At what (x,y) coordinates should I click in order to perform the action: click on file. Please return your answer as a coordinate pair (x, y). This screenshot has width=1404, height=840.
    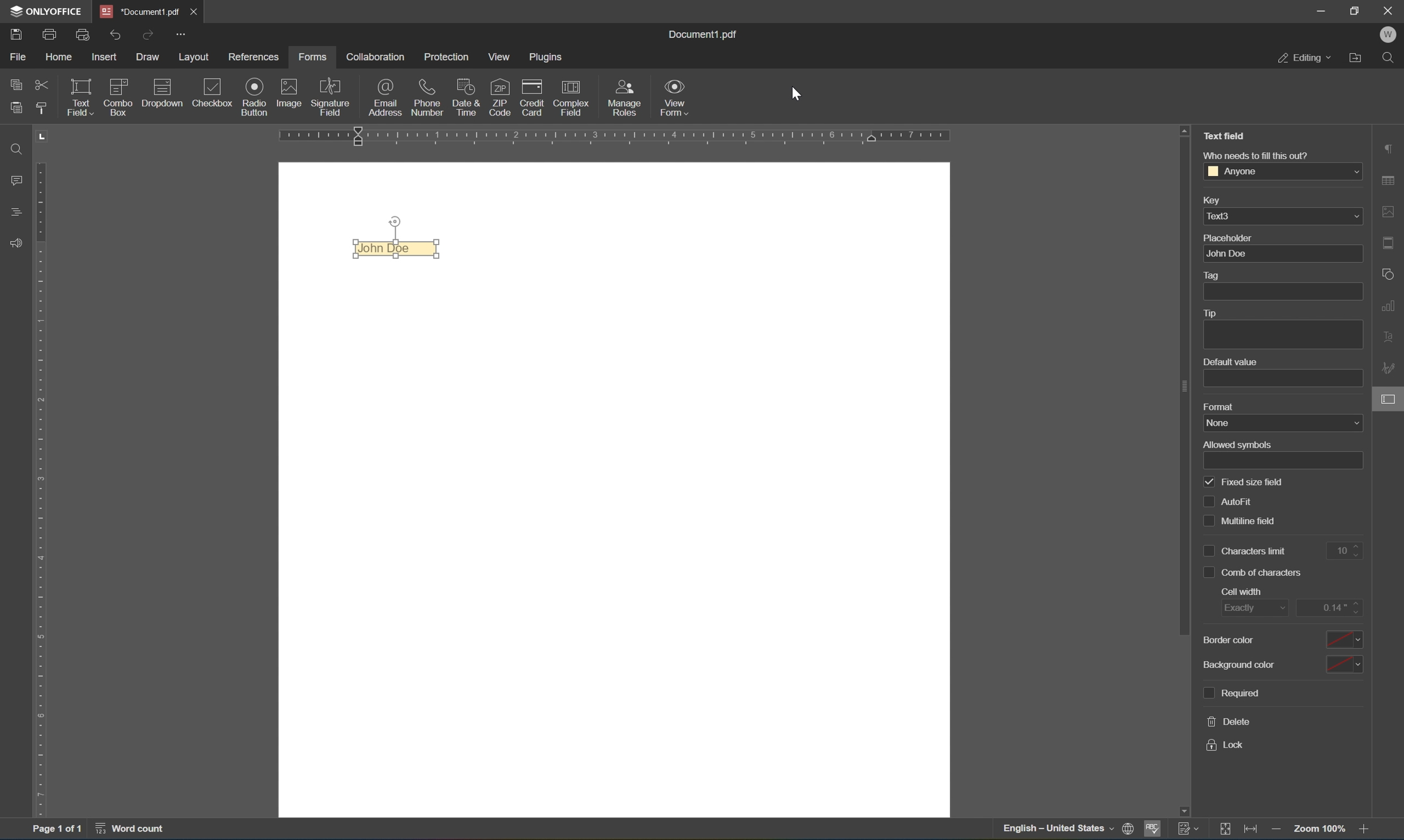
    Looking at the image, I should click on (17, 56).